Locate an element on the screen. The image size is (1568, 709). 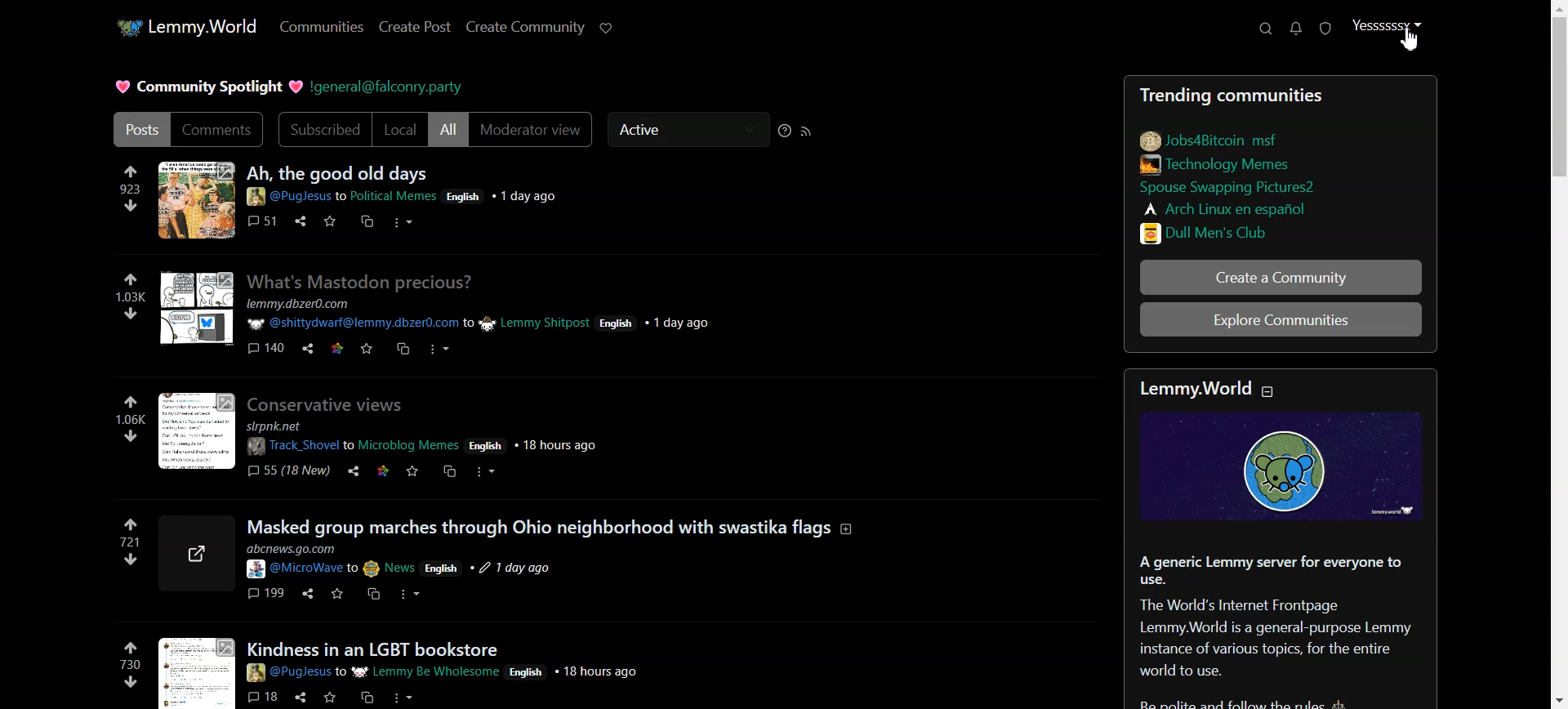
image is located at coordinates (194, 199).